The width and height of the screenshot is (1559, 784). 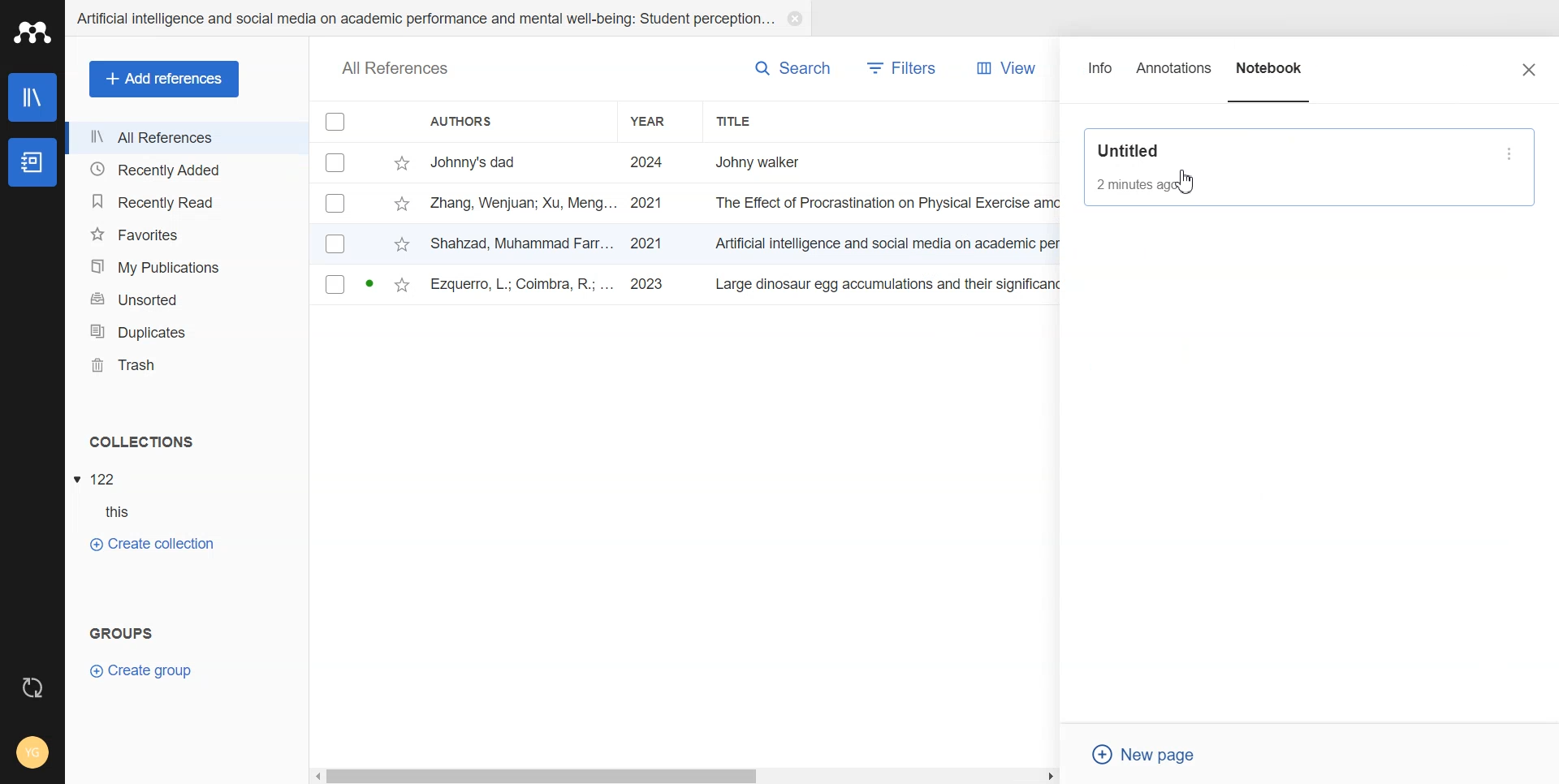 I want to click on 2021, so click(x=647, y=204).